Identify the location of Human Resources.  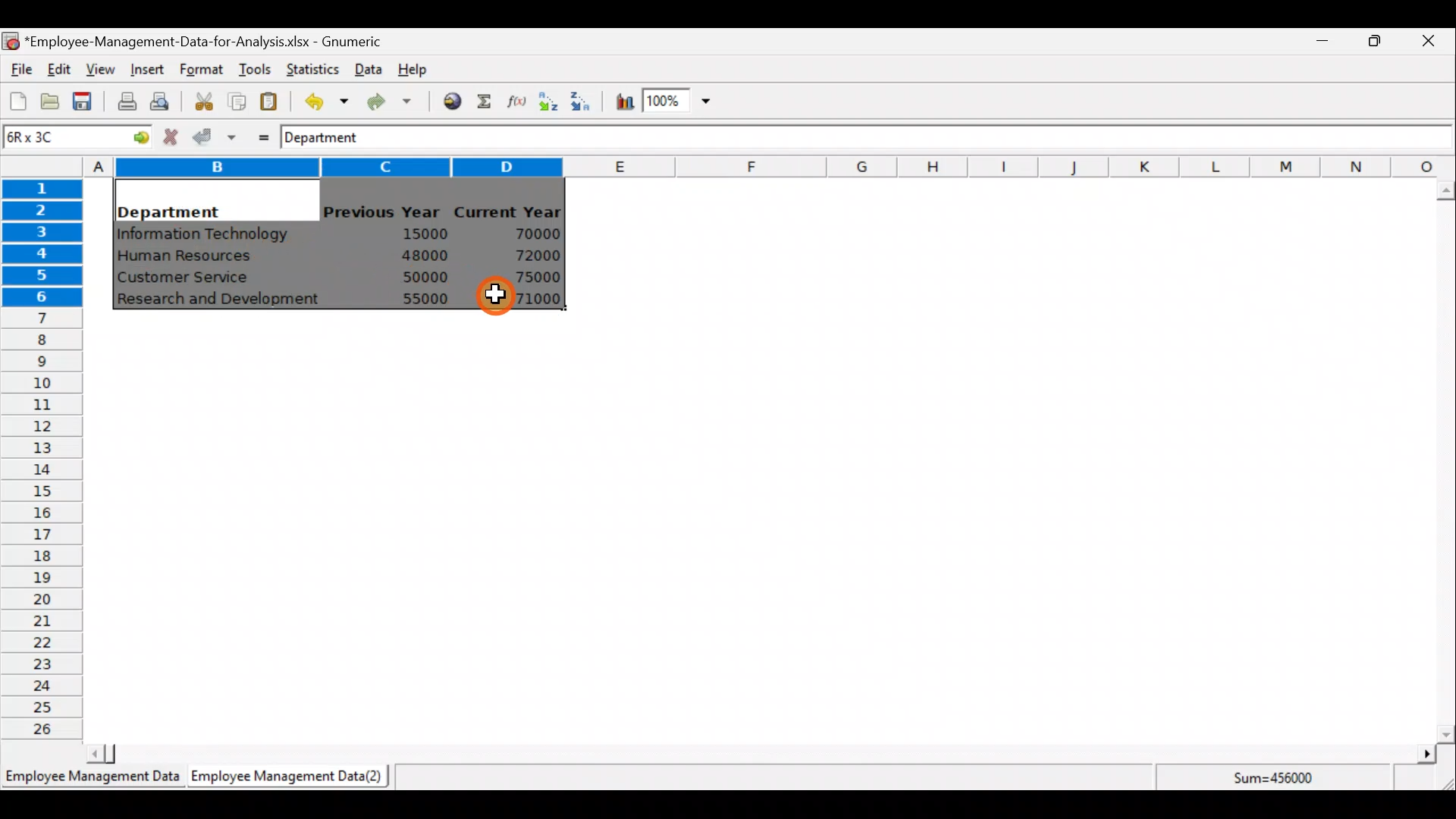
(192, 257).